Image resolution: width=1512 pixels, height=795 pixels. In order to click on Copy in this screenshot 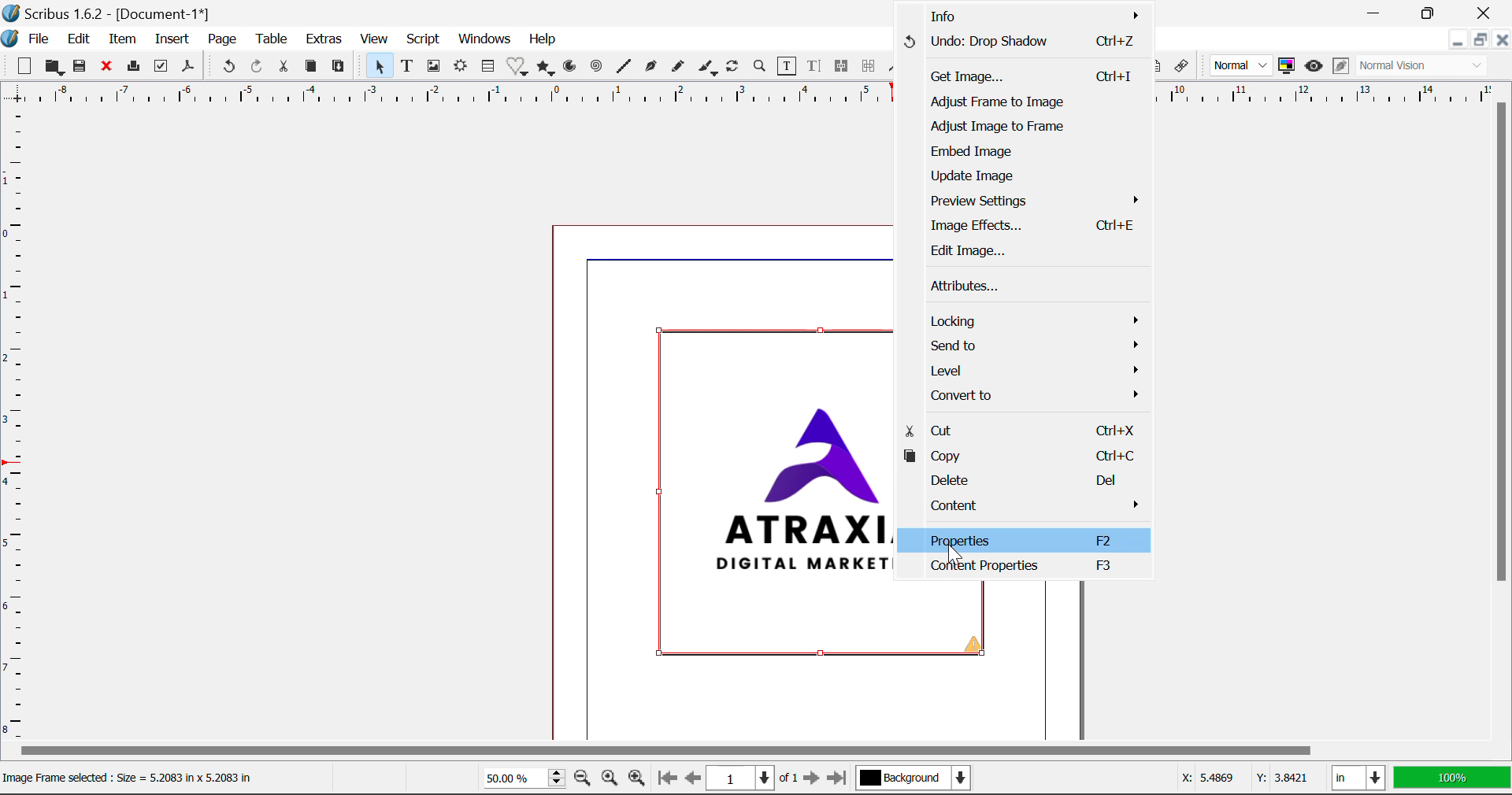, I will do `click(311, 68)`.